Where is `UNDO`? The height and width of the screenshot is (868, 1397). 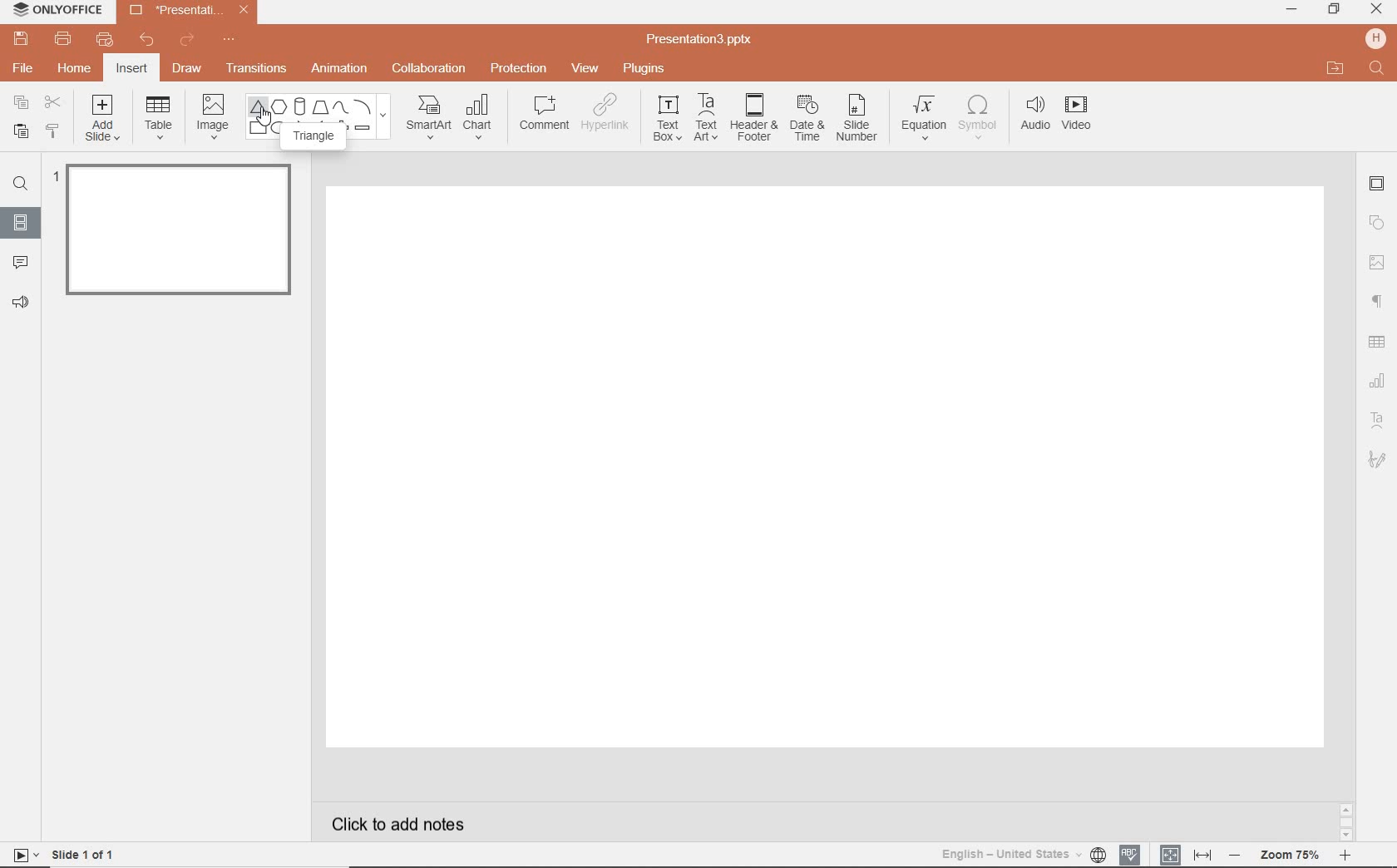
UNDO is located at coordinates (148, 41).